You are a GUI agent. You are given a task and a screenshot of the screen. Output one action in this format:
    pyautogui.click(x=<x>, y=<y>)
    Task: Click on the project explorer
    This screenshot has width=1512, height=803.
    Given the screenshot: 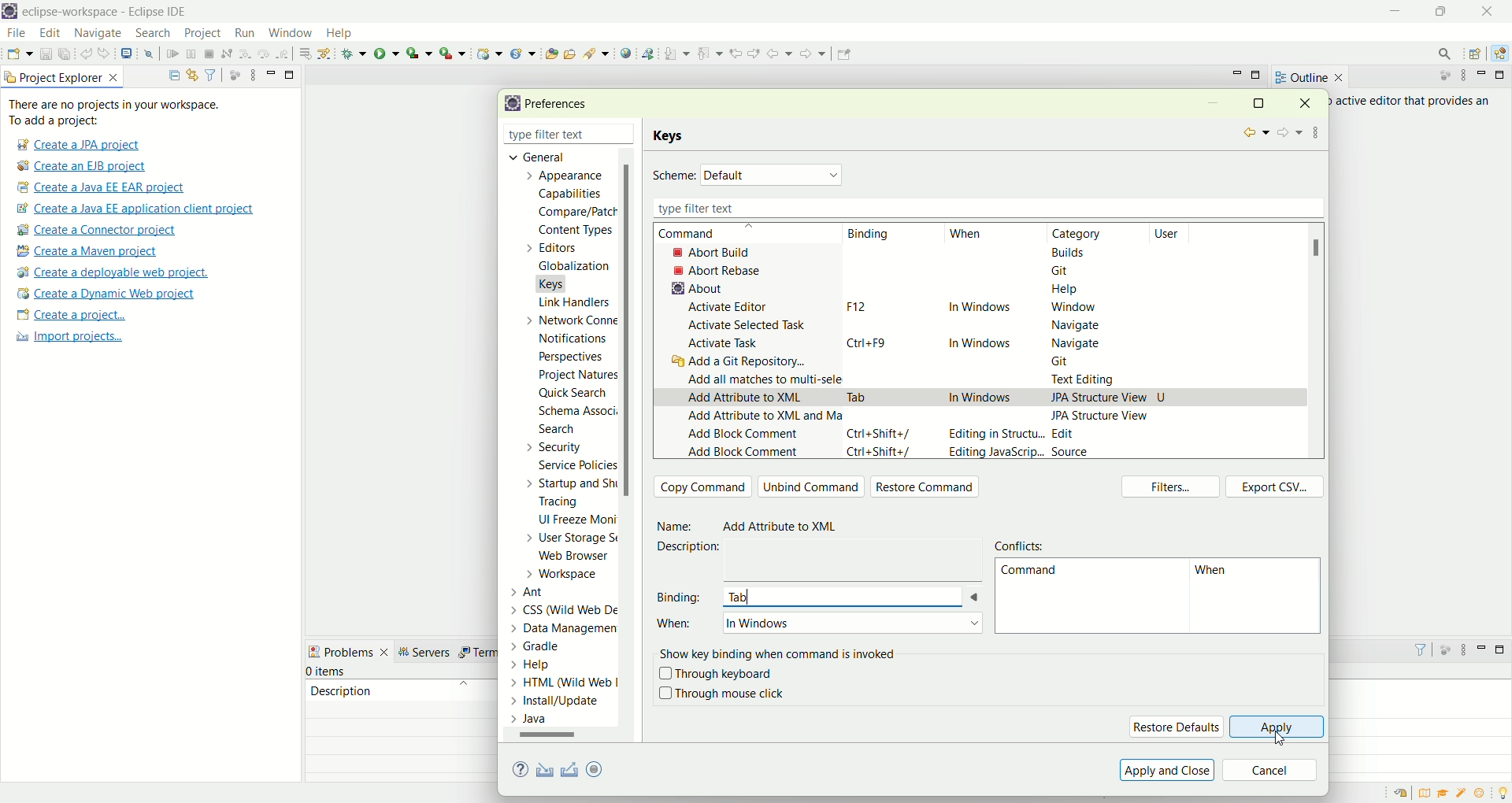 What is the action you would take?
    pyautogui.click(x=63, y=76)
    